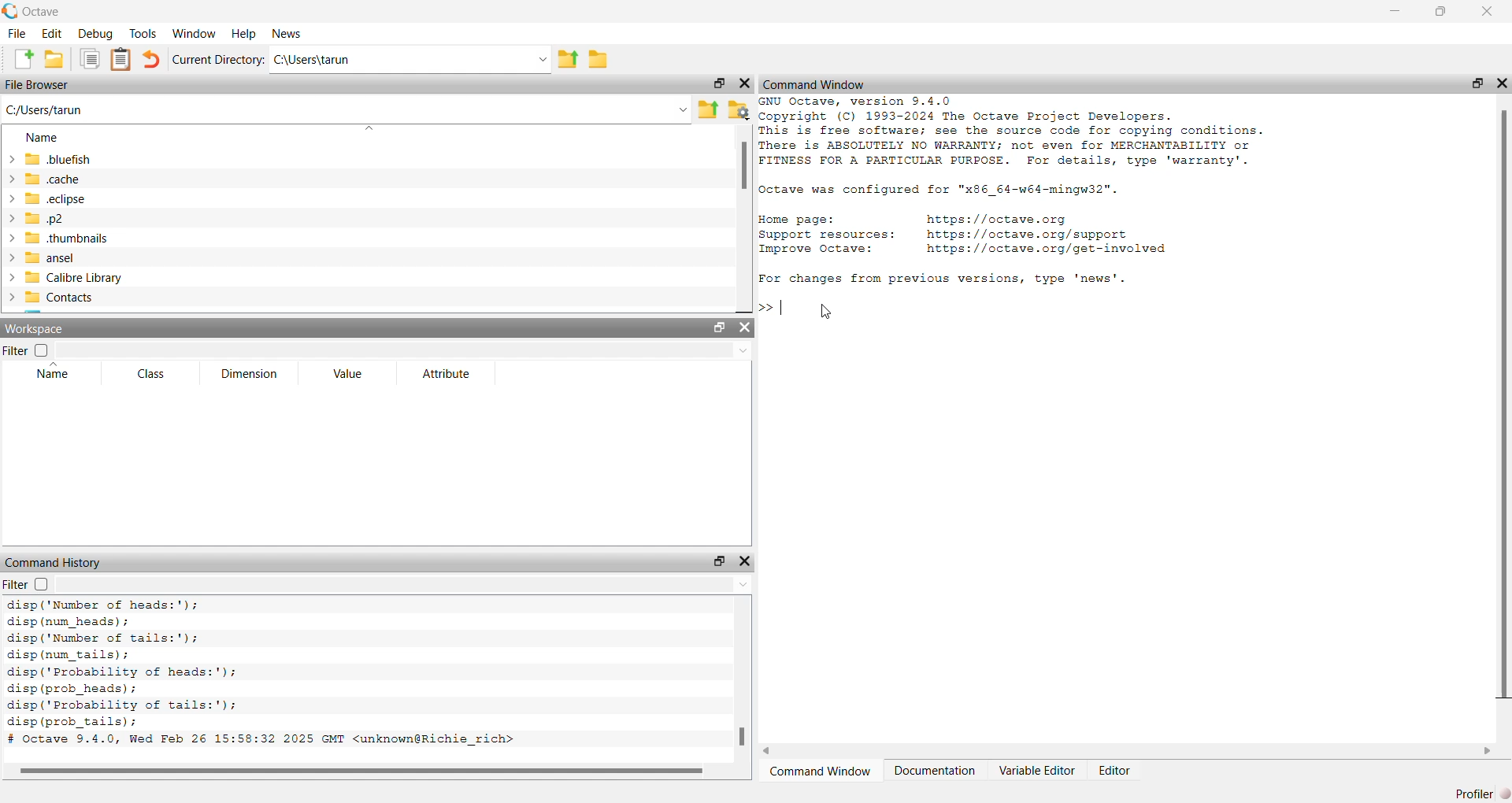  Describe the element at coordinates (398, 59) in the screenshot. I see `C:\Users\tarun` at that location.